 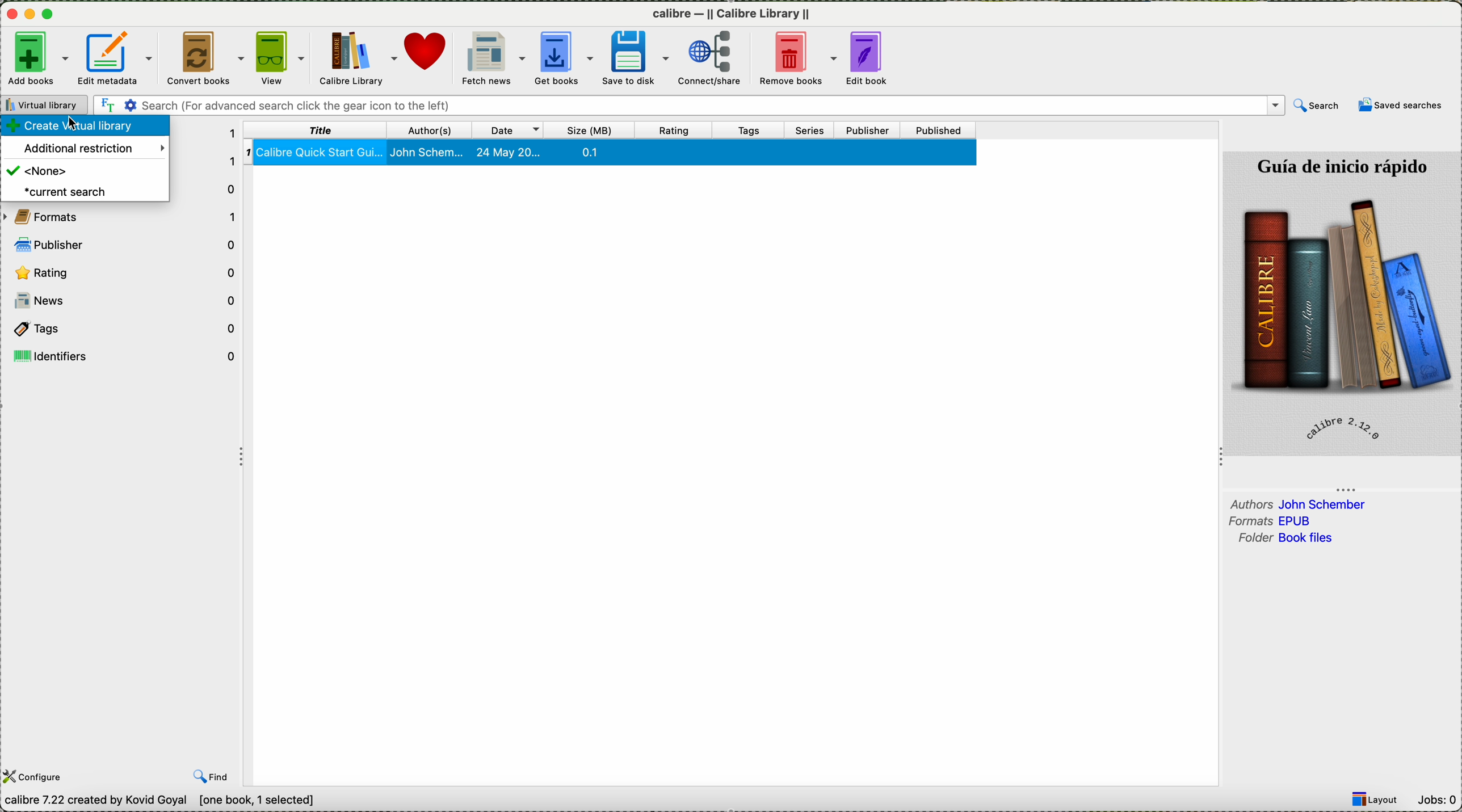 What do you see at coordinates (82, 128) in the screenshot?
I see `cursor` at bounding box center [82, 128].